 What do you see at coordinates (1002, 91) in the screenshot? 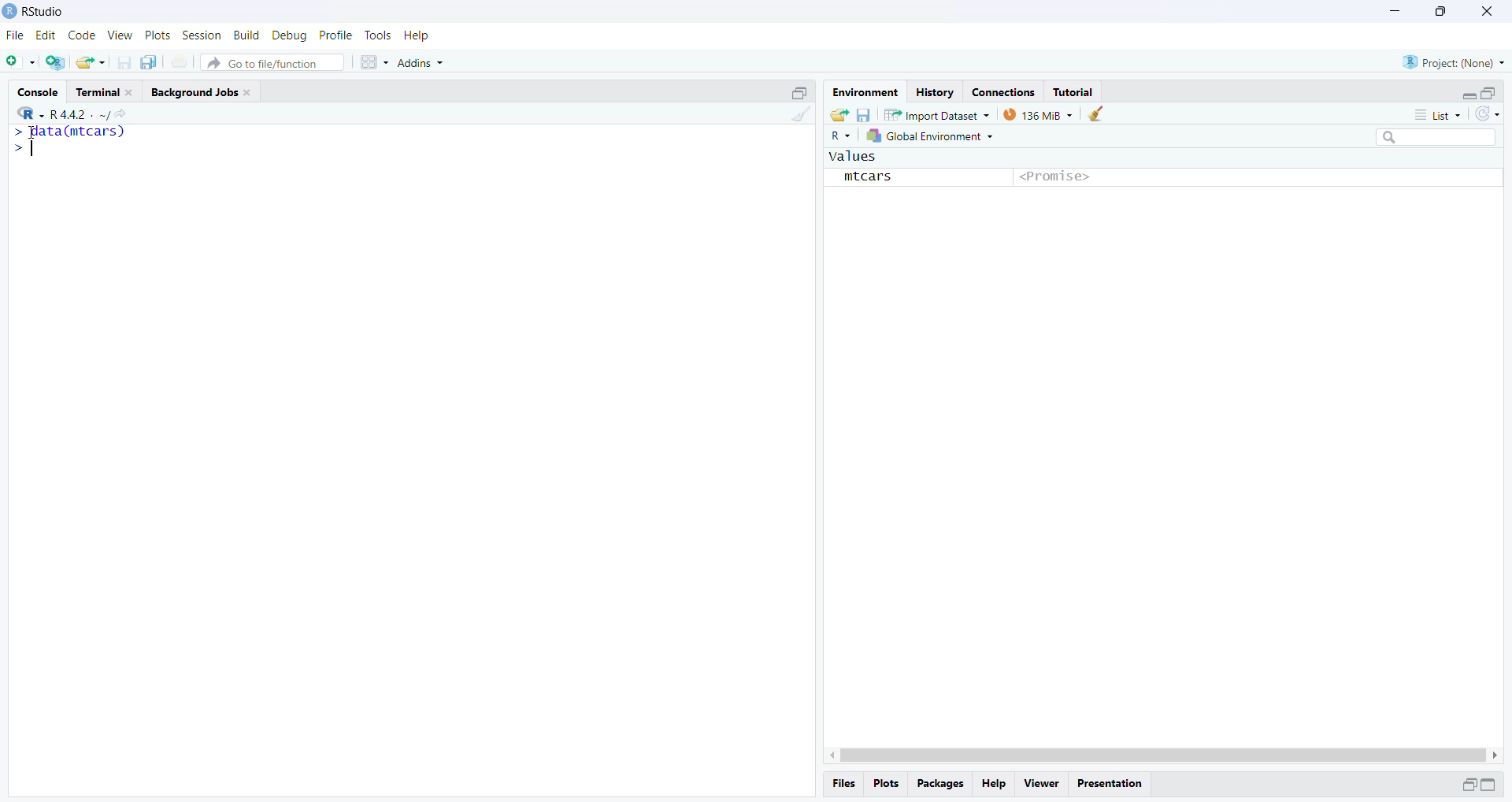
I see `Connections` at bounding box center [1002, 91].